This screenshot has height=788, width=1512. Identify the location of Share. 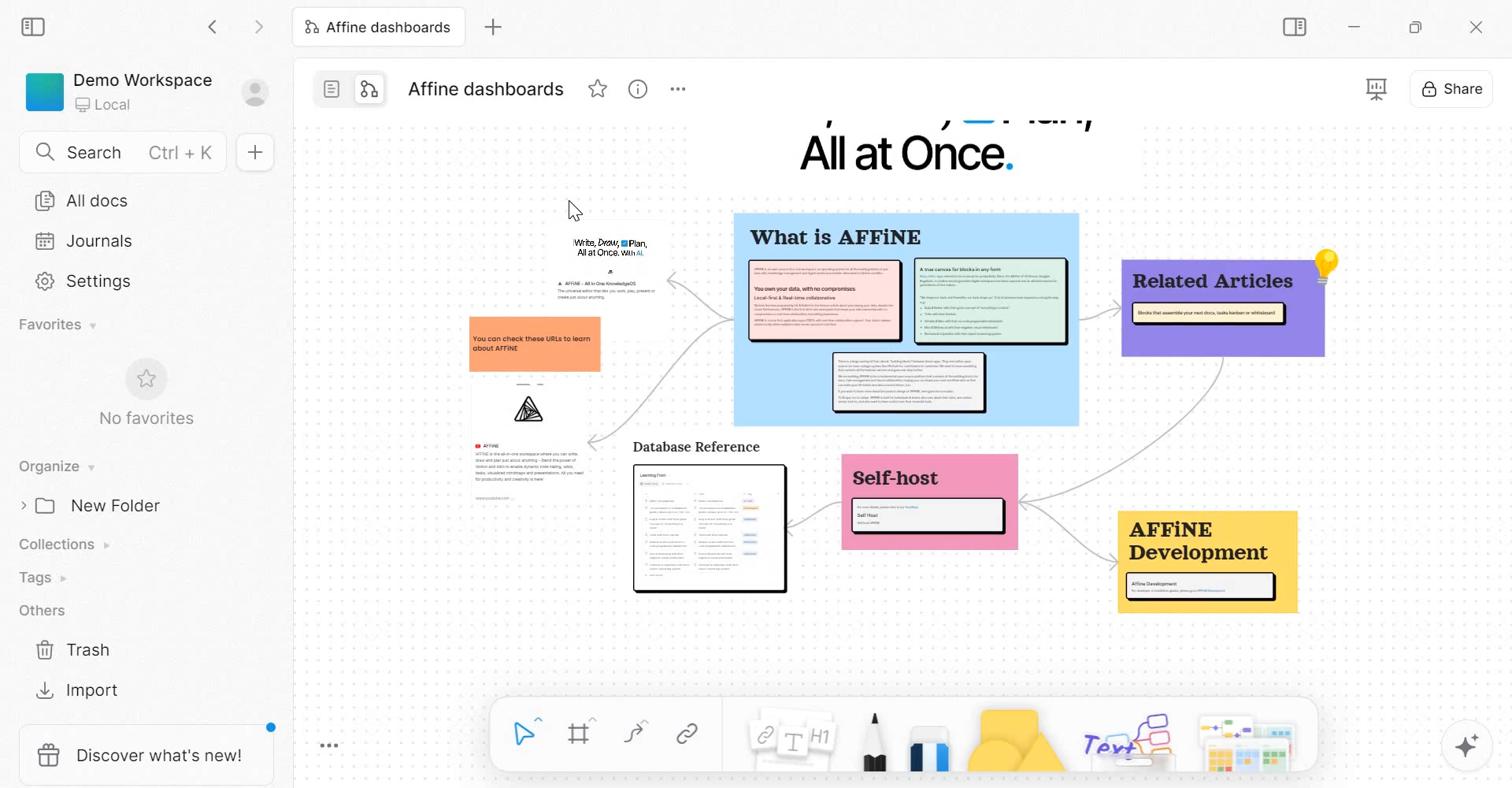
(1451, 87).